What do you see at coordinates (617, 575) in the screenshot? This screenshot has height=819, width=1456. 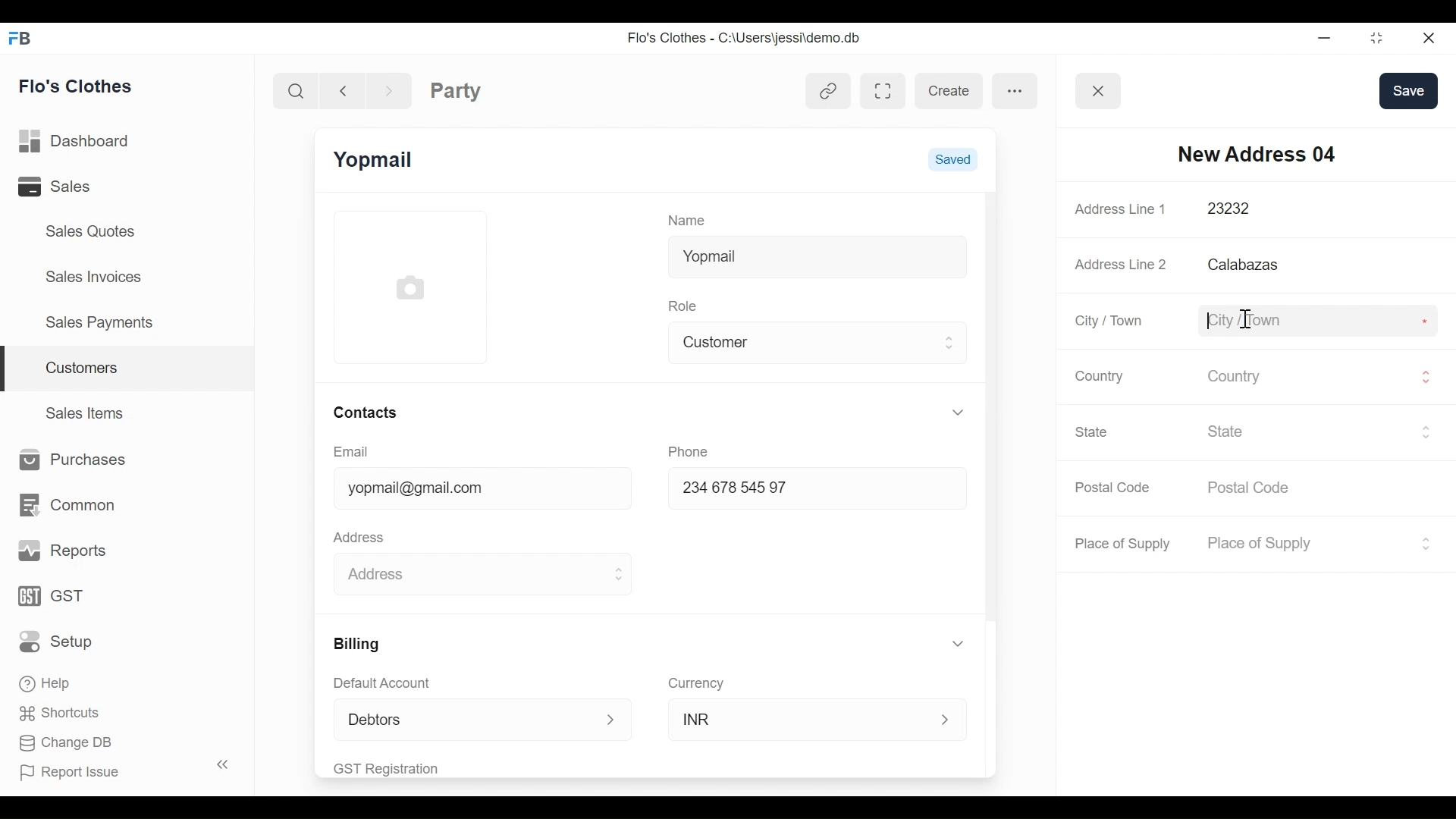 I see `Expand` at bounding box center [617, 575].